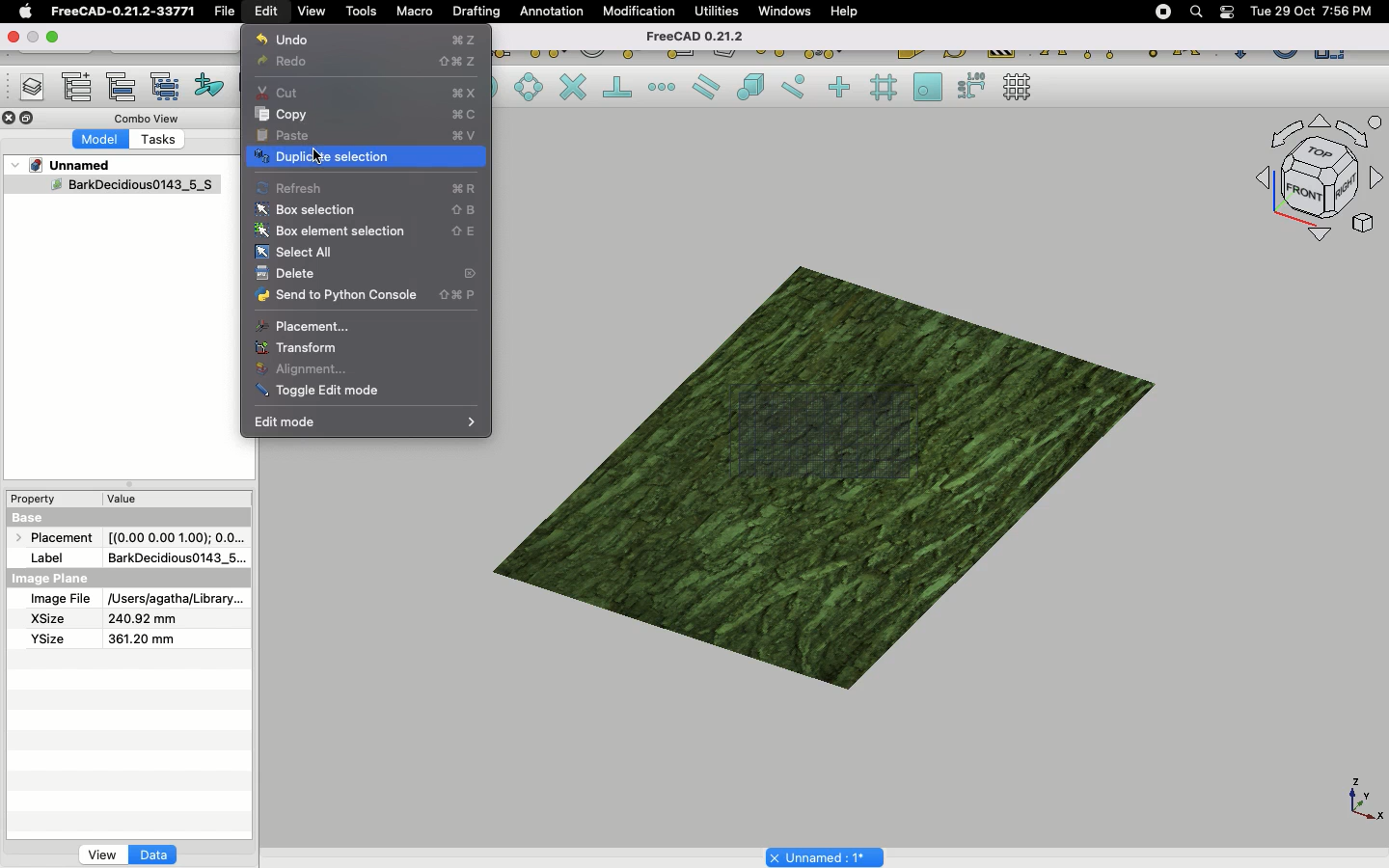 The width and height of the screenshot is (1389, 868). Describe the element at coordinates (10, 120) in the screenshot. I see `Close` at that location.